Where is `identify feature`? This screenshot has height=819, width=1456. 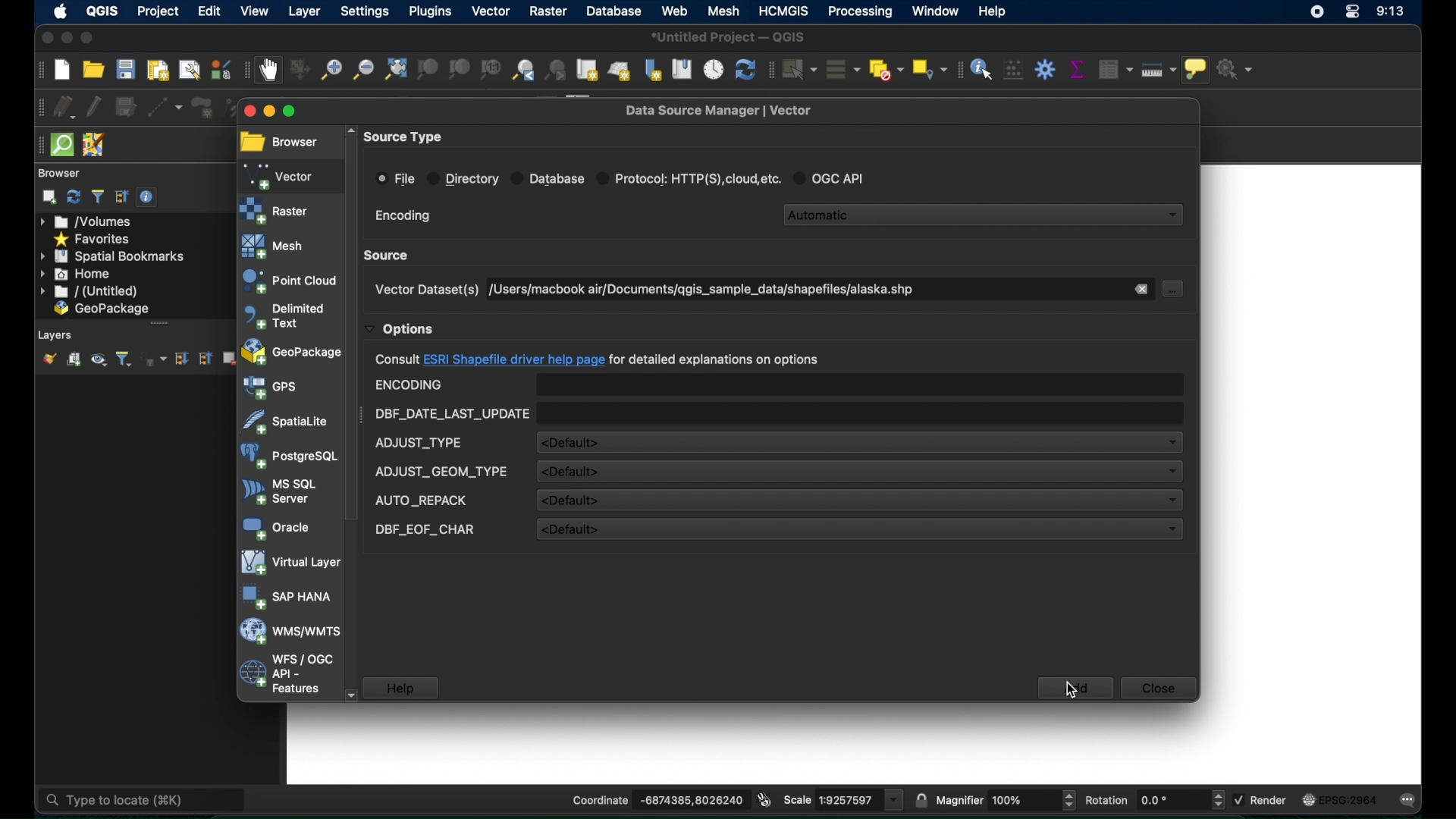 identify feature is located at coordinates (981, 69).